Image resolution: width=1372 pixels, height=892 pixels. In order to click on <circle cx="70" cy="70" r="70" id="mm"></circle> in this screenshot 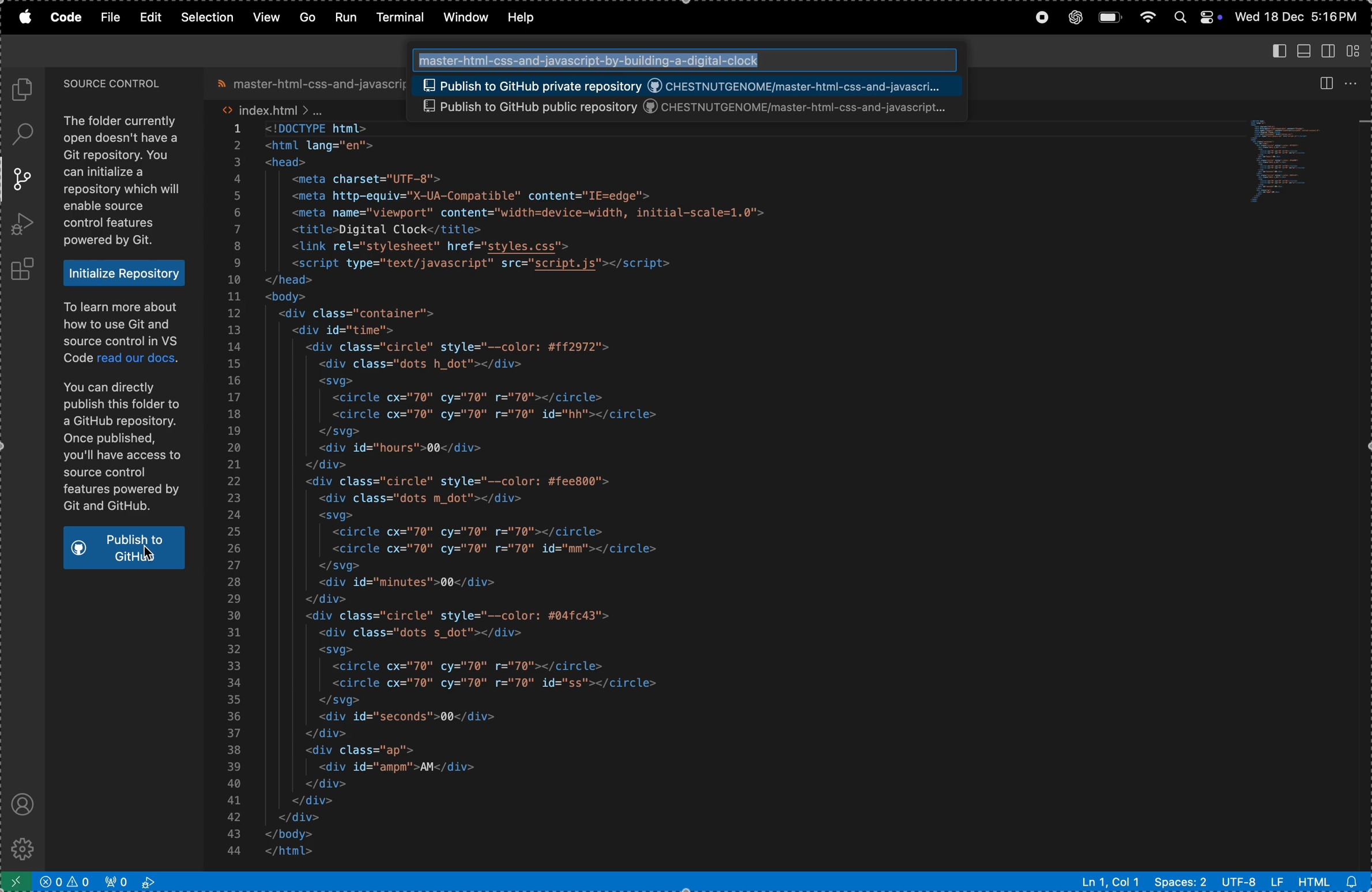, I will do `click(506, 549)`.